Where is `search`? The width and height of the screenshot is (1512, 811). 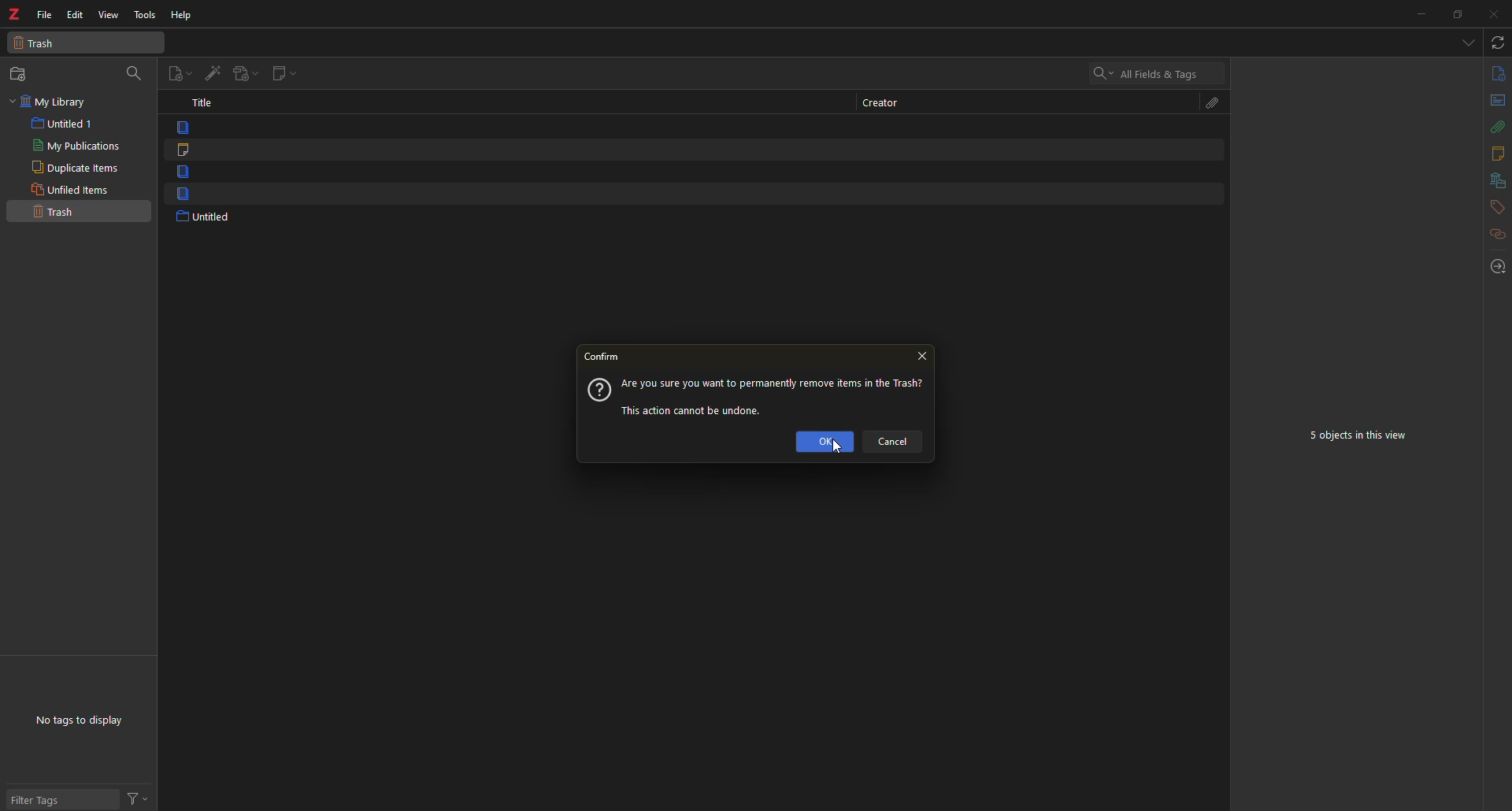 search is located at coordinates (1140, 72).